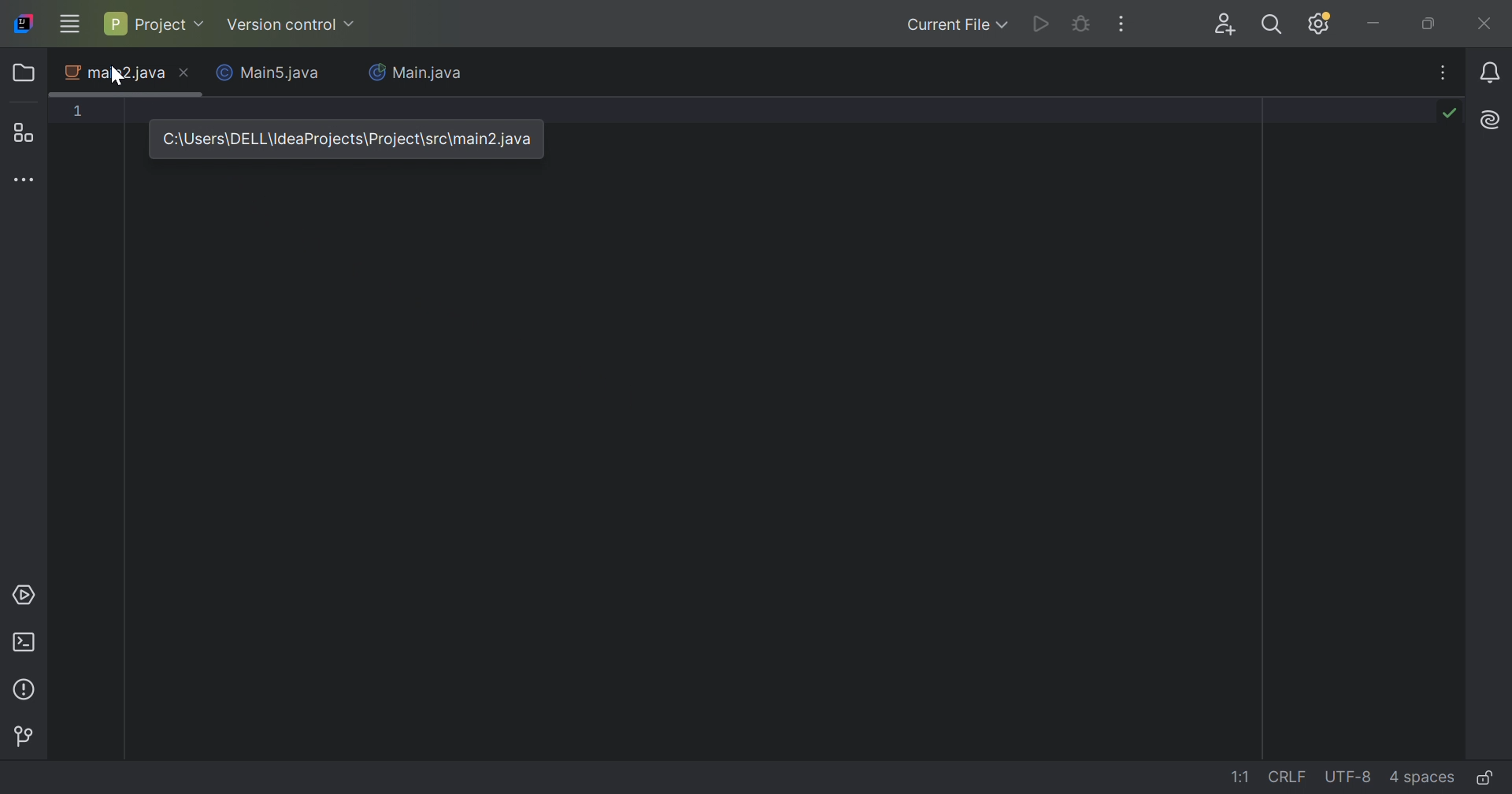 The width and height of the screenshot is (1512, 794). I want to click on Updates available. IDE and Project Settings., so click(1321, 24).